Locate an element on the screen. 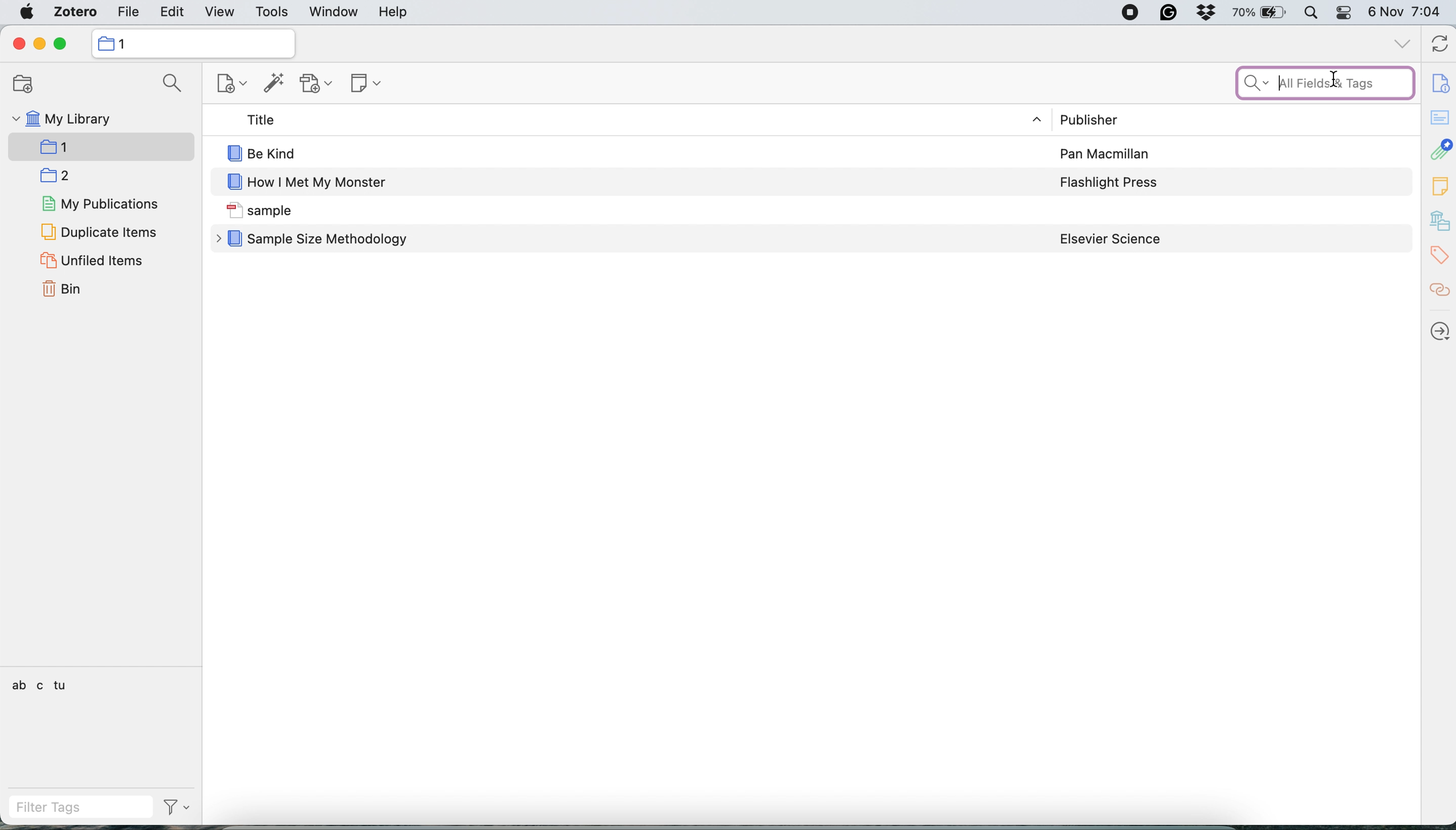 The image size is (1456, 830). close is located at coordinates (19, 44).